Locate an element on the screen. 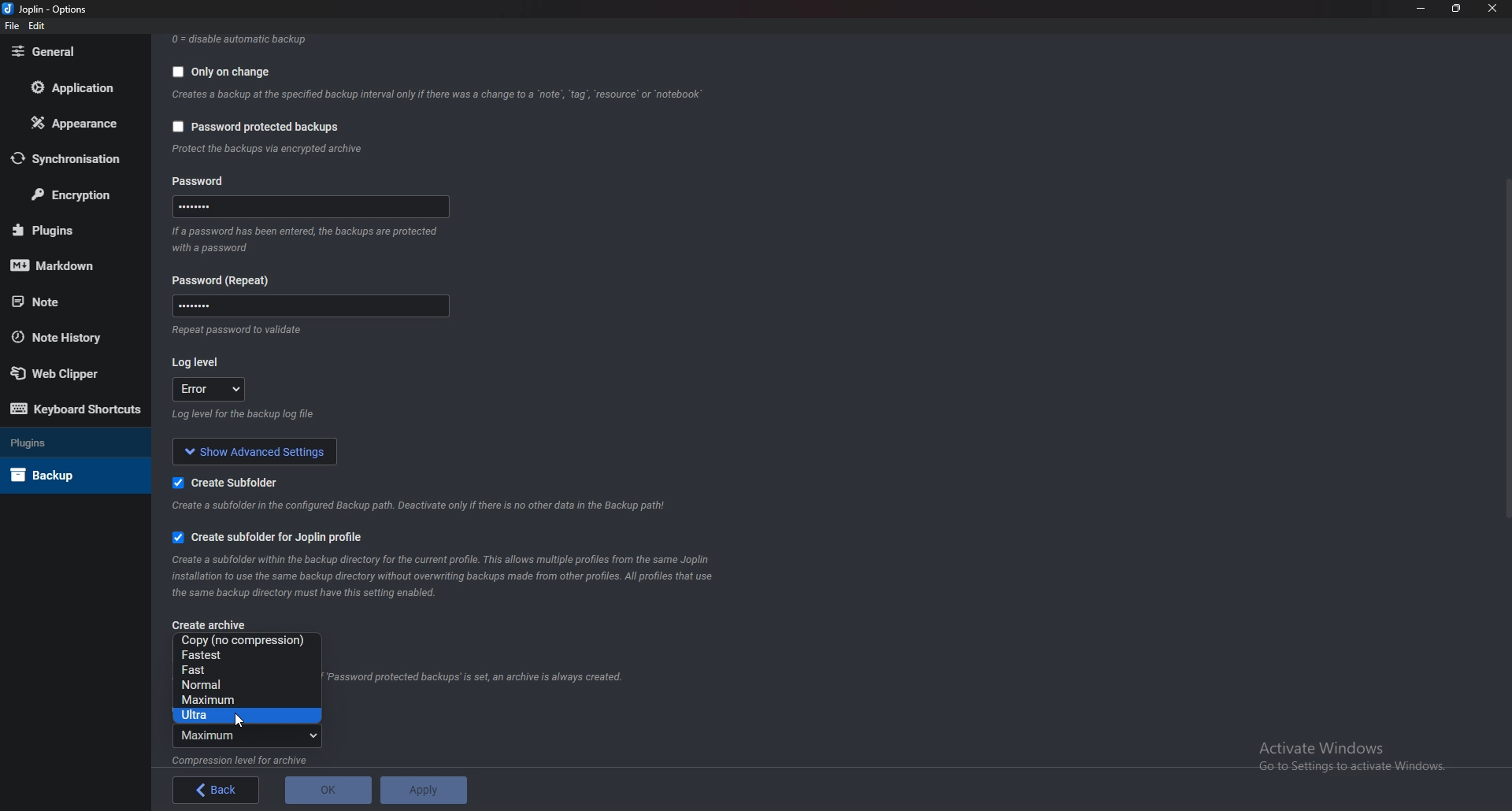 Image resolution: width=1512 pixels, height=811 pixels. back is located at coordinates (216, 791).